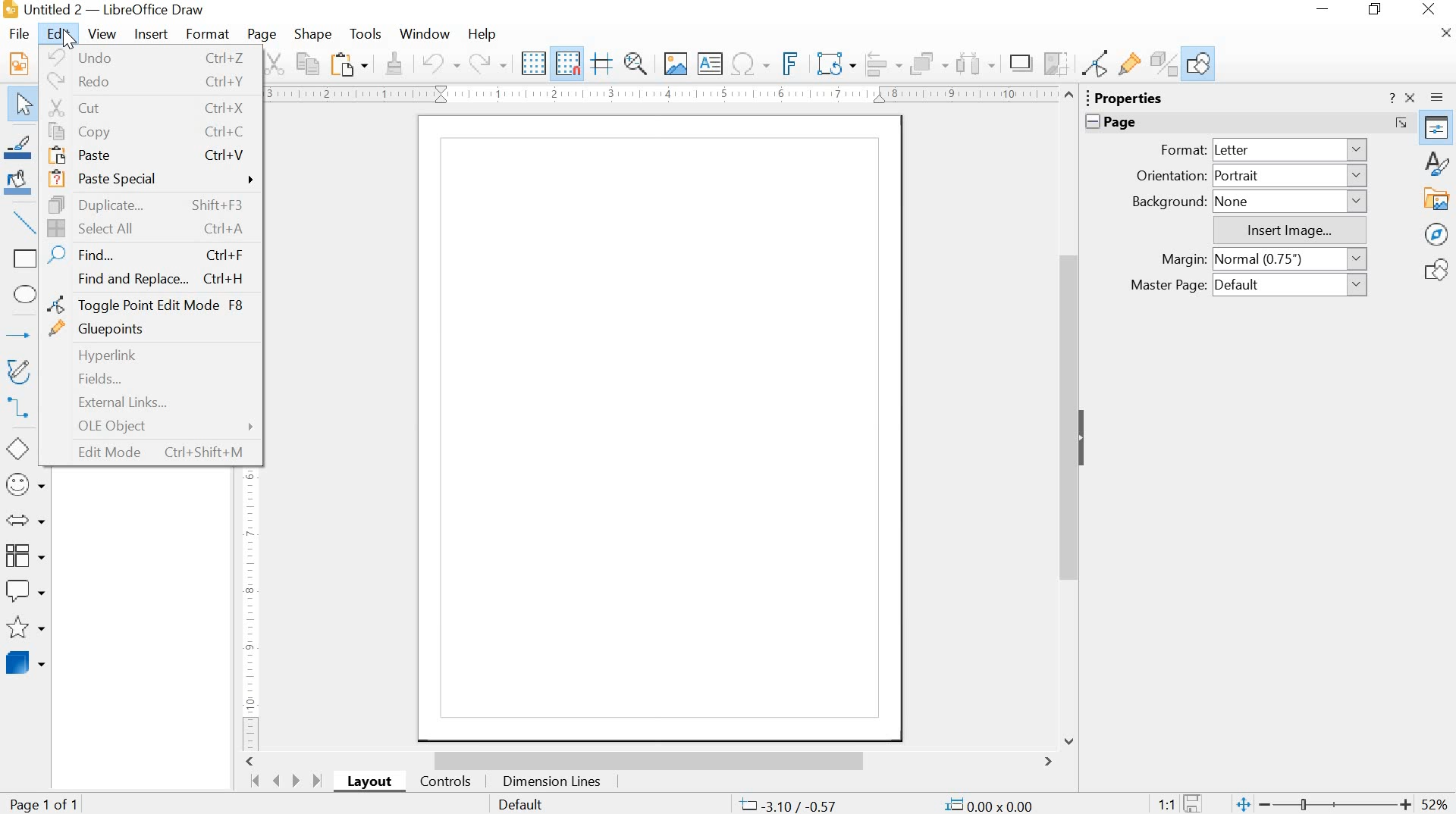 The width and height of the screenshot is (1456, 814). I want to click on Margin, so click(1184, 258).